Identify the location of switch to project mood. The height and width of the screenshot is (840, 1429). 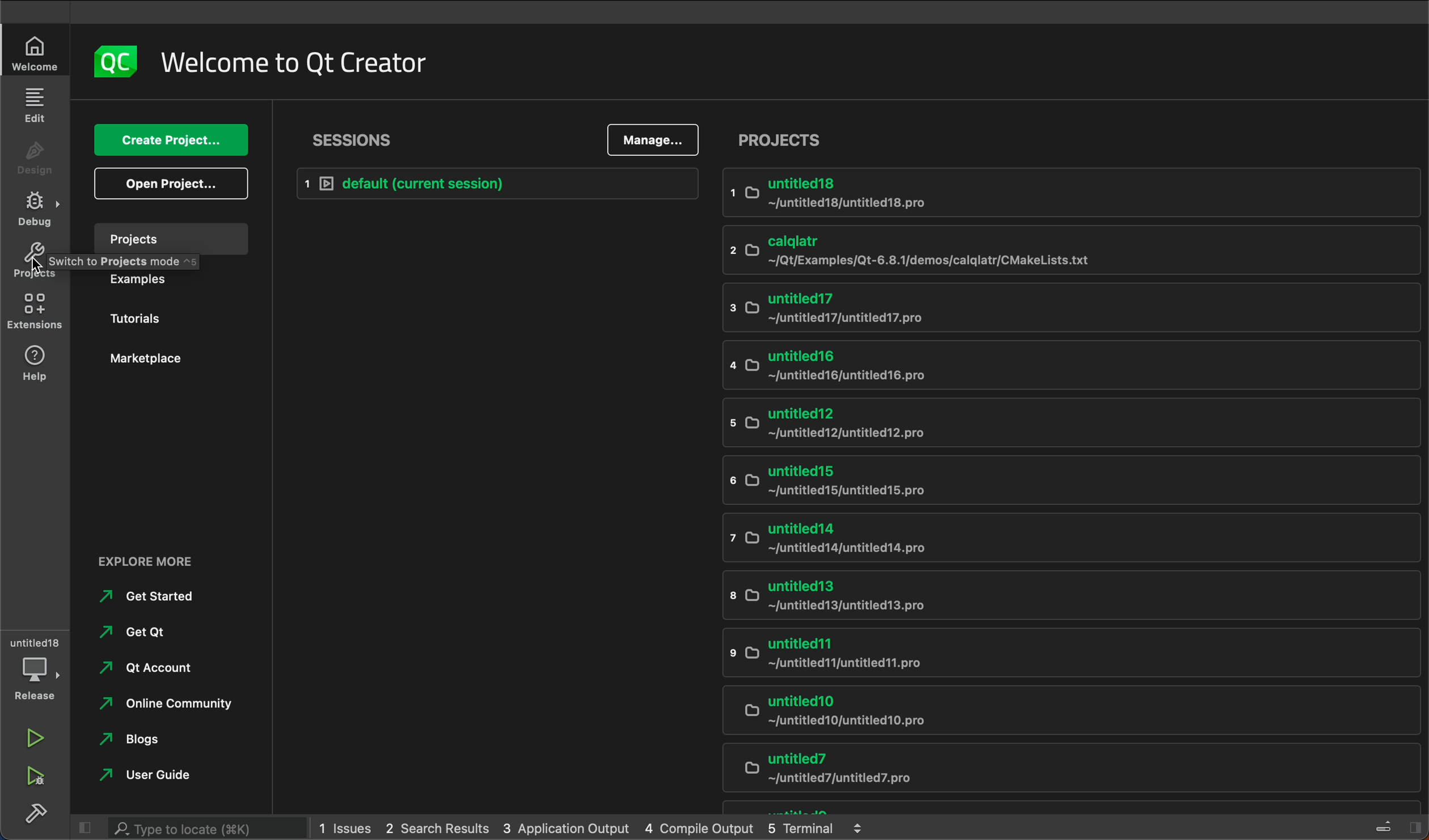
(144, 264).